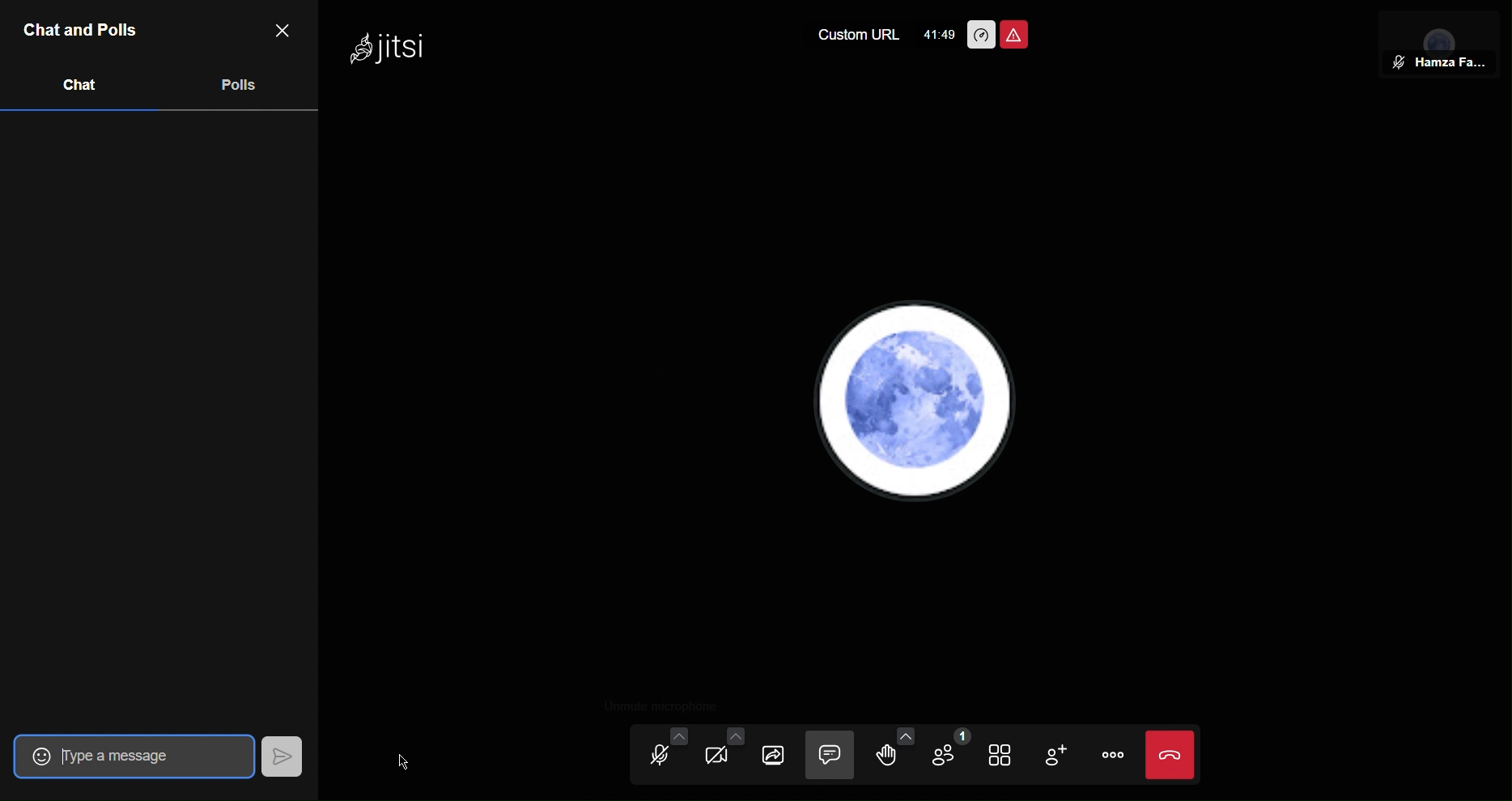  I want to click on Chat and Polls, so click(81, 32).